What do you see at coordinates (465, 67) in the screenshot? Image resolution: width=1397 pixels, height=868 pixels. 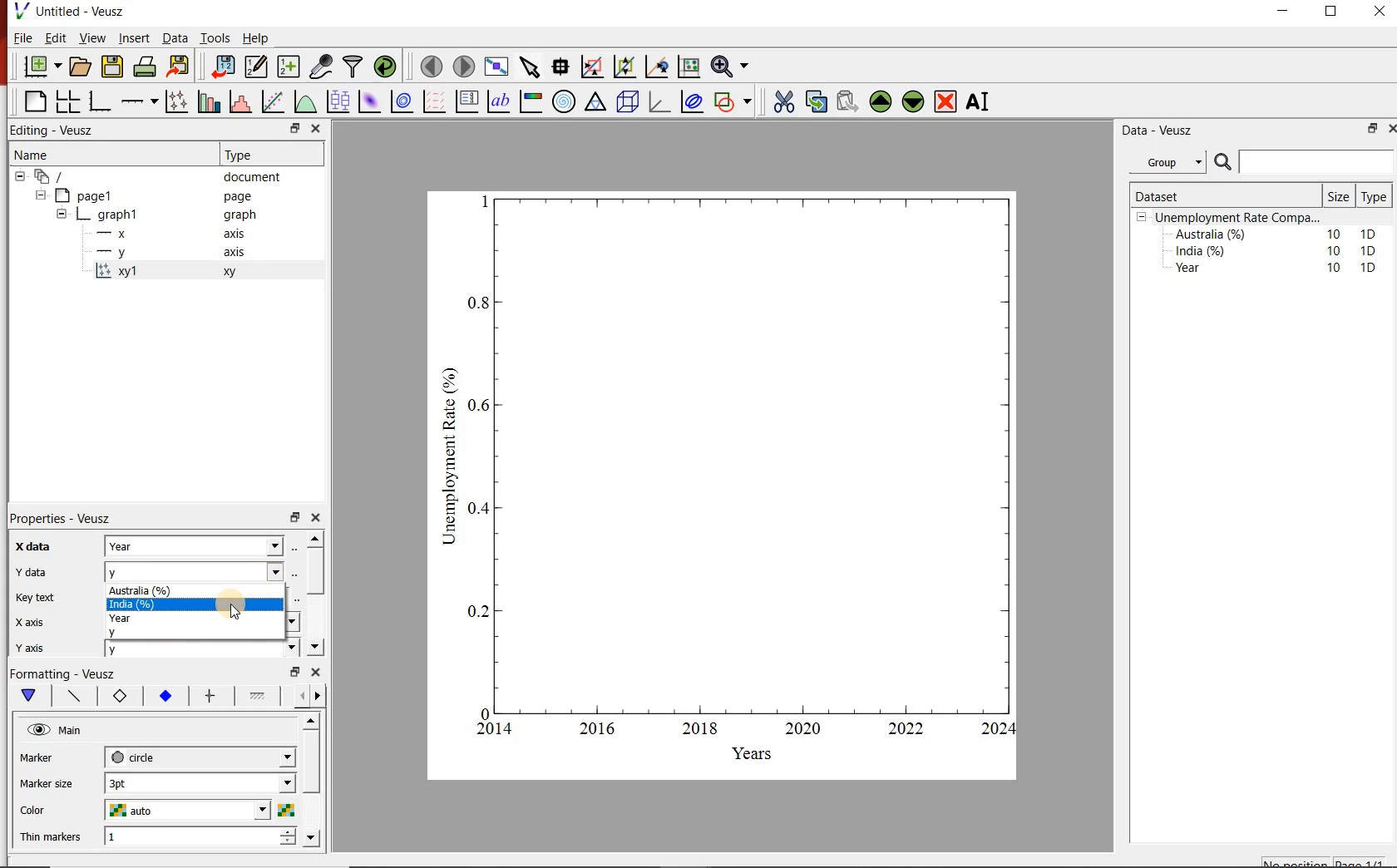 I see `move to next page` at bounding box center [465, 67].